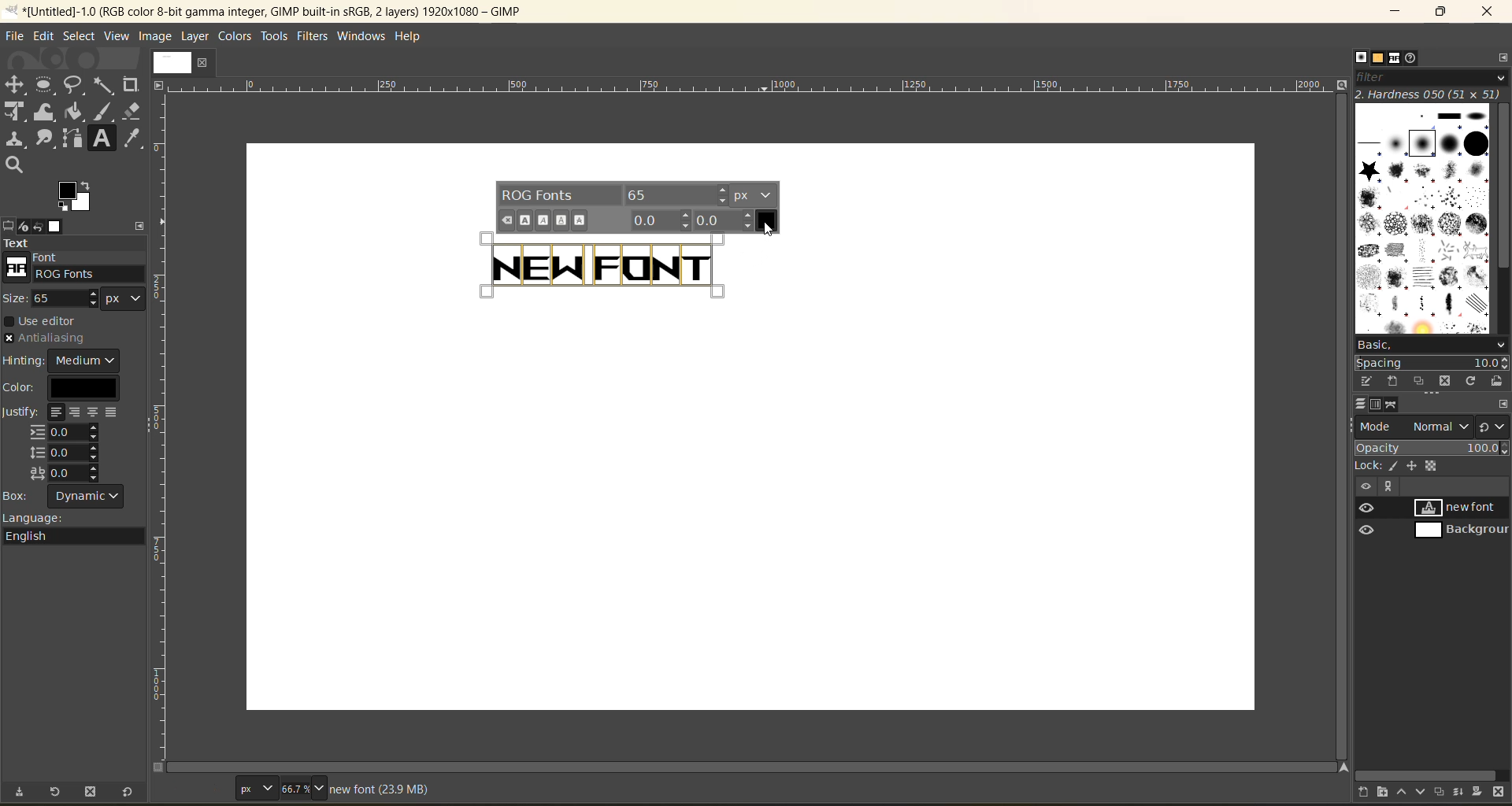 The width and height of the screenshot is (1512, 806). What do you see at coordinates (1441, 791) in the screenshot?
I see `create a duplicate` at bounding box center [1441, 791].